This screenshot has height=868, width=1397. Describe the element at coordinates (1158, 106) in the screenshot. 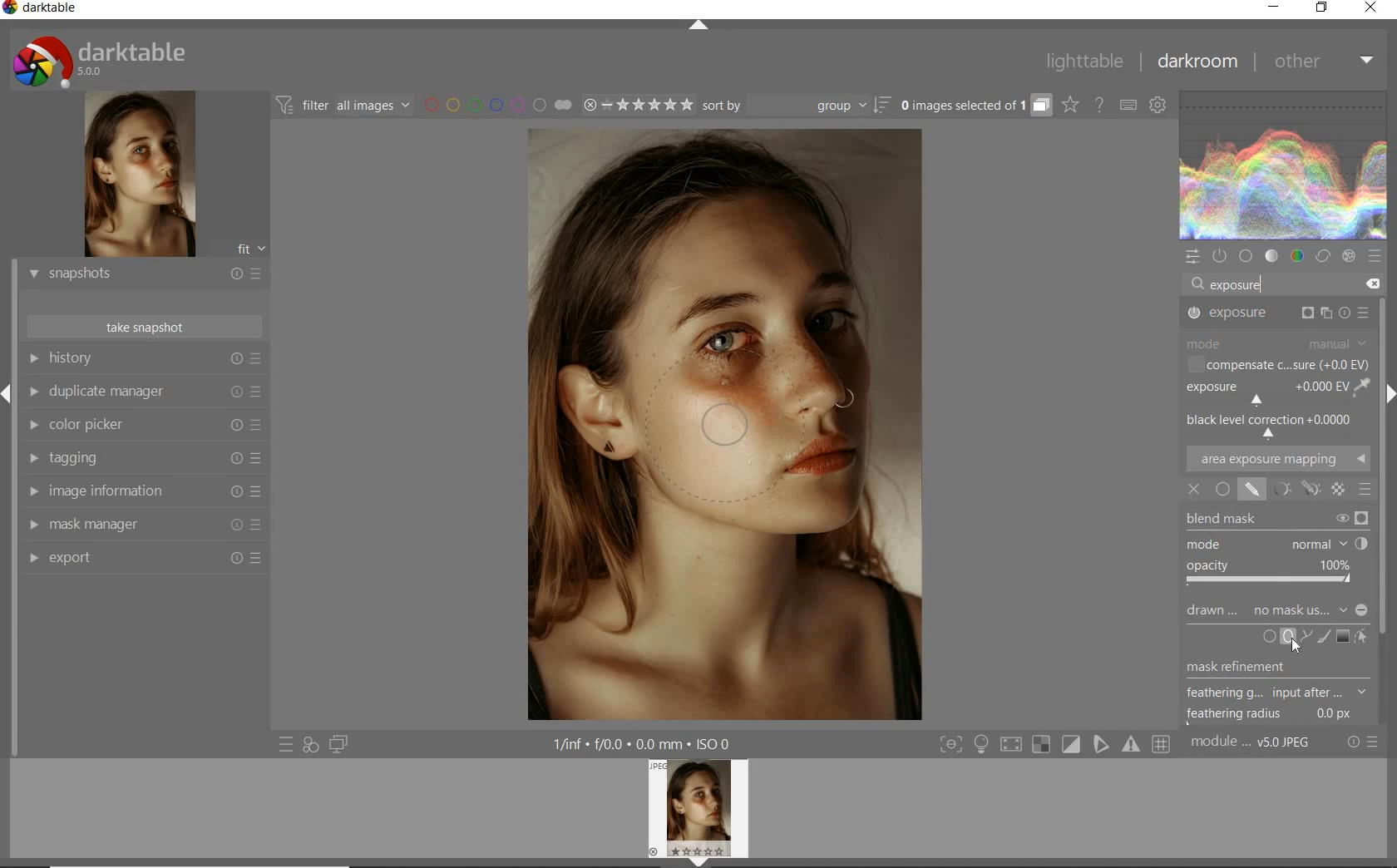

I see `show global preferences` at that location.